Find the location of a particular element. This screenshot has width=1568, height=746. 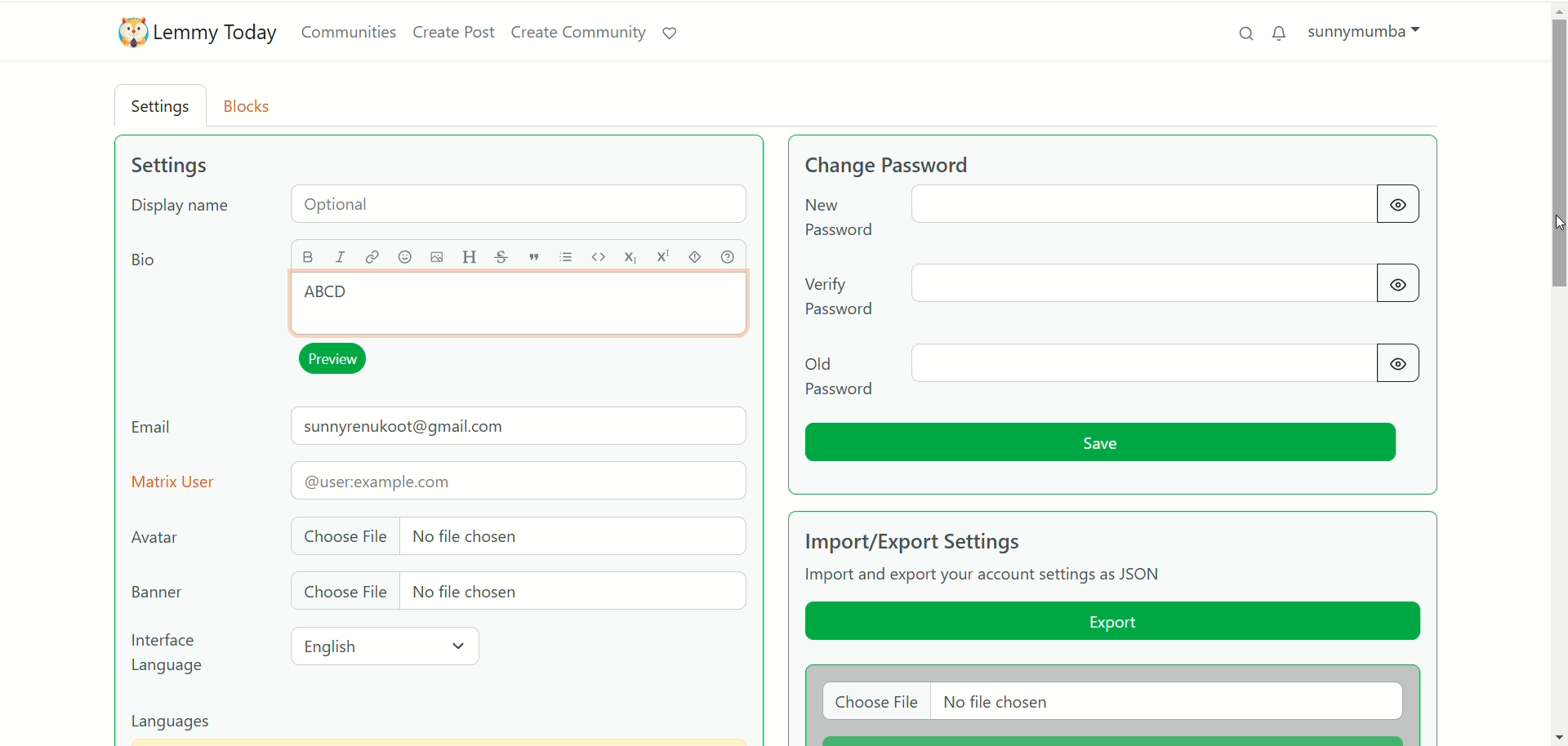

header is located at coordinates (469, 257).